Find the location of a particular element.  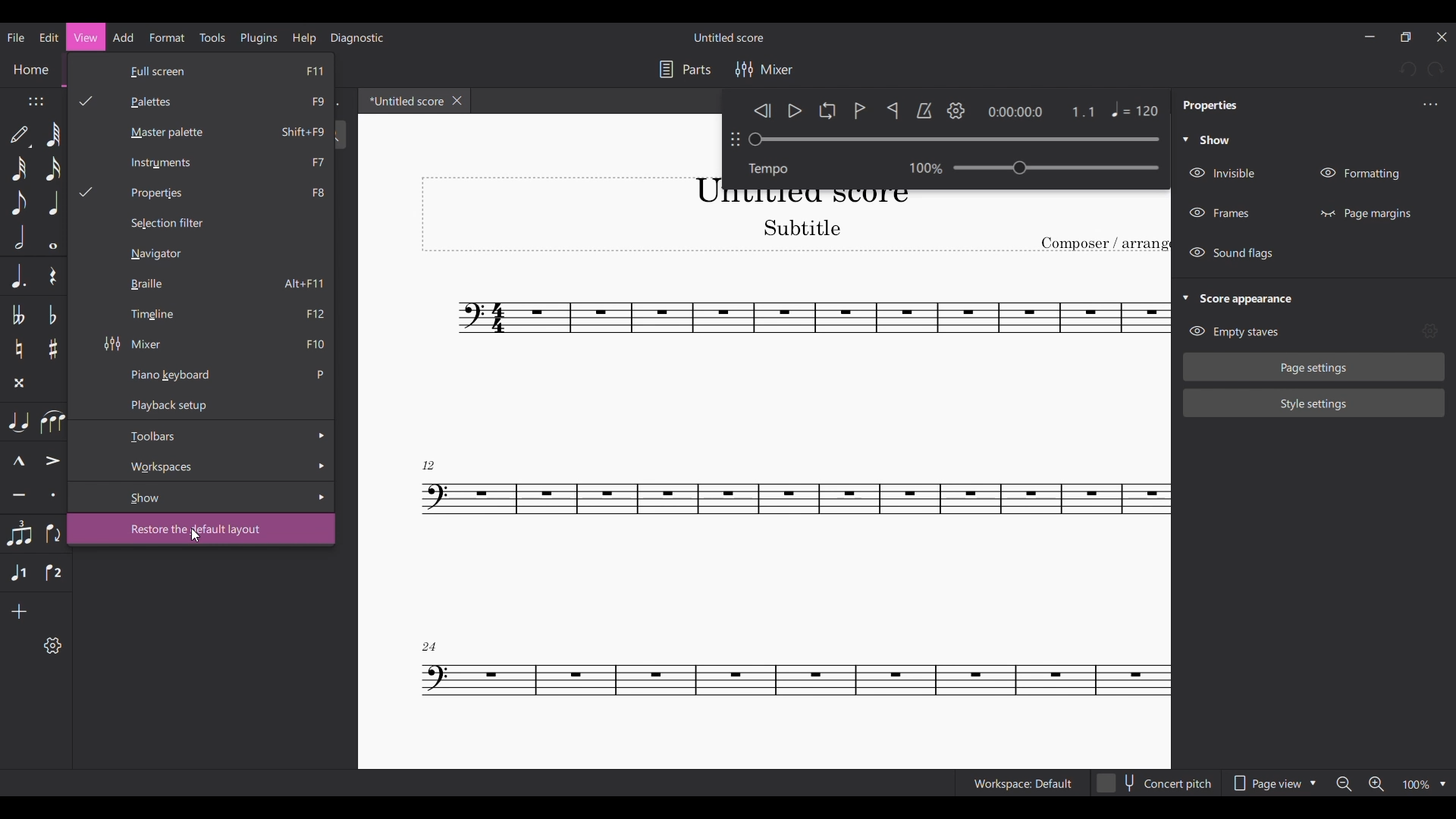

Piano keyboard   P is located at coordinates (222, 374).